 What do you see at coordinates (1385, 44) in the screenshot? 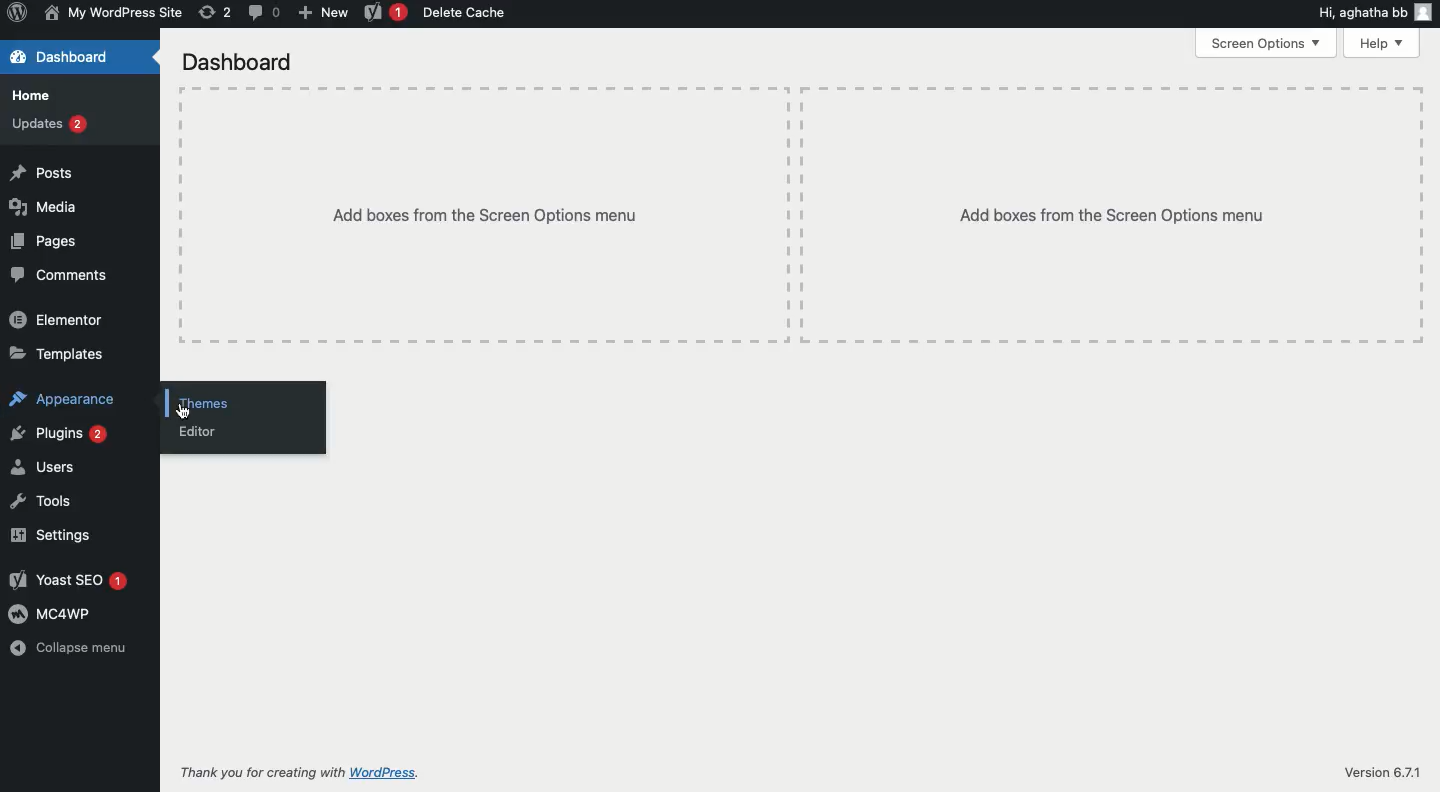
I see `Help` at bounding box center [1385, 44].